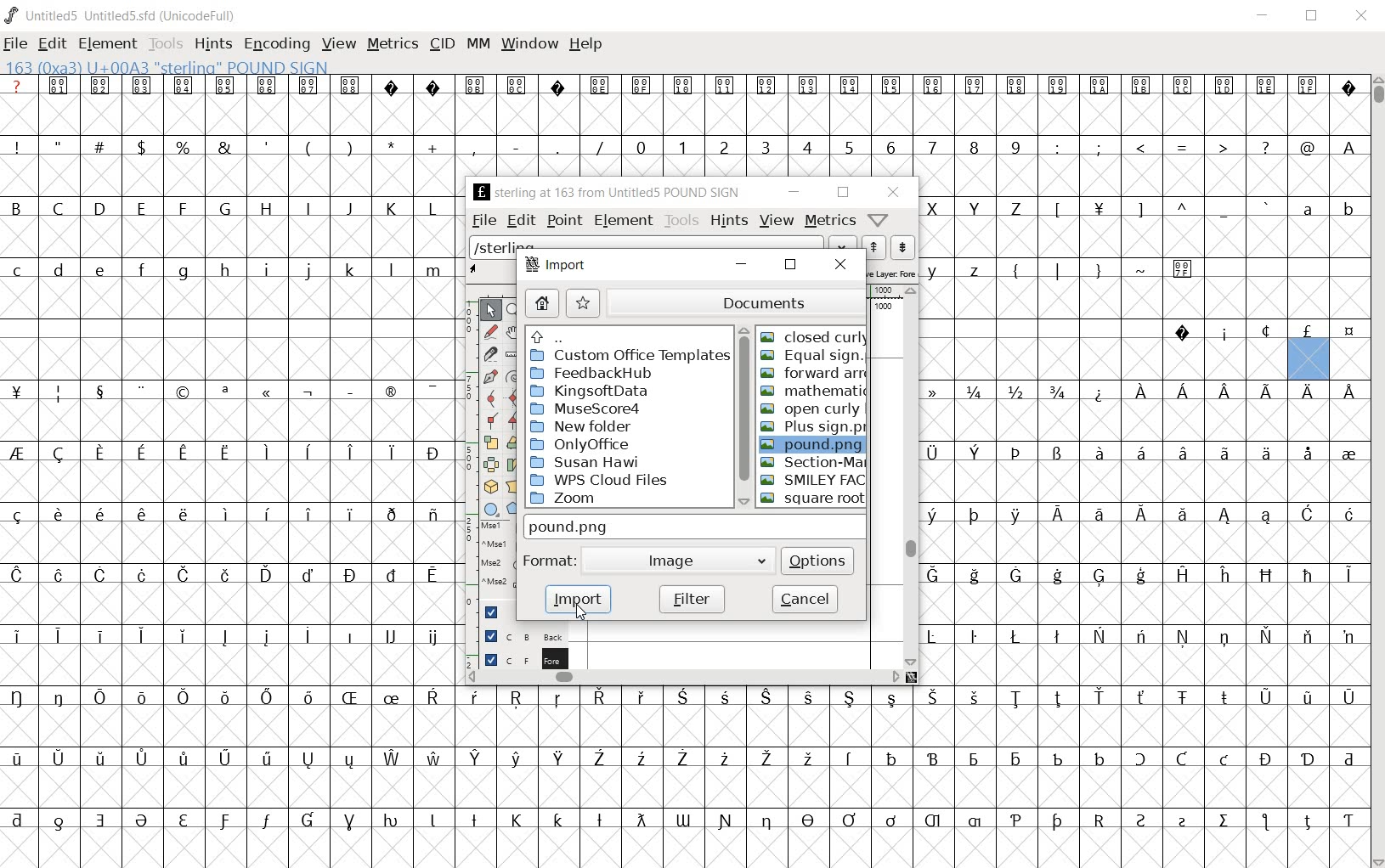 The width and height of the screenshot is (1385, 868). I want to click on Symbol, so click(1016, 636).